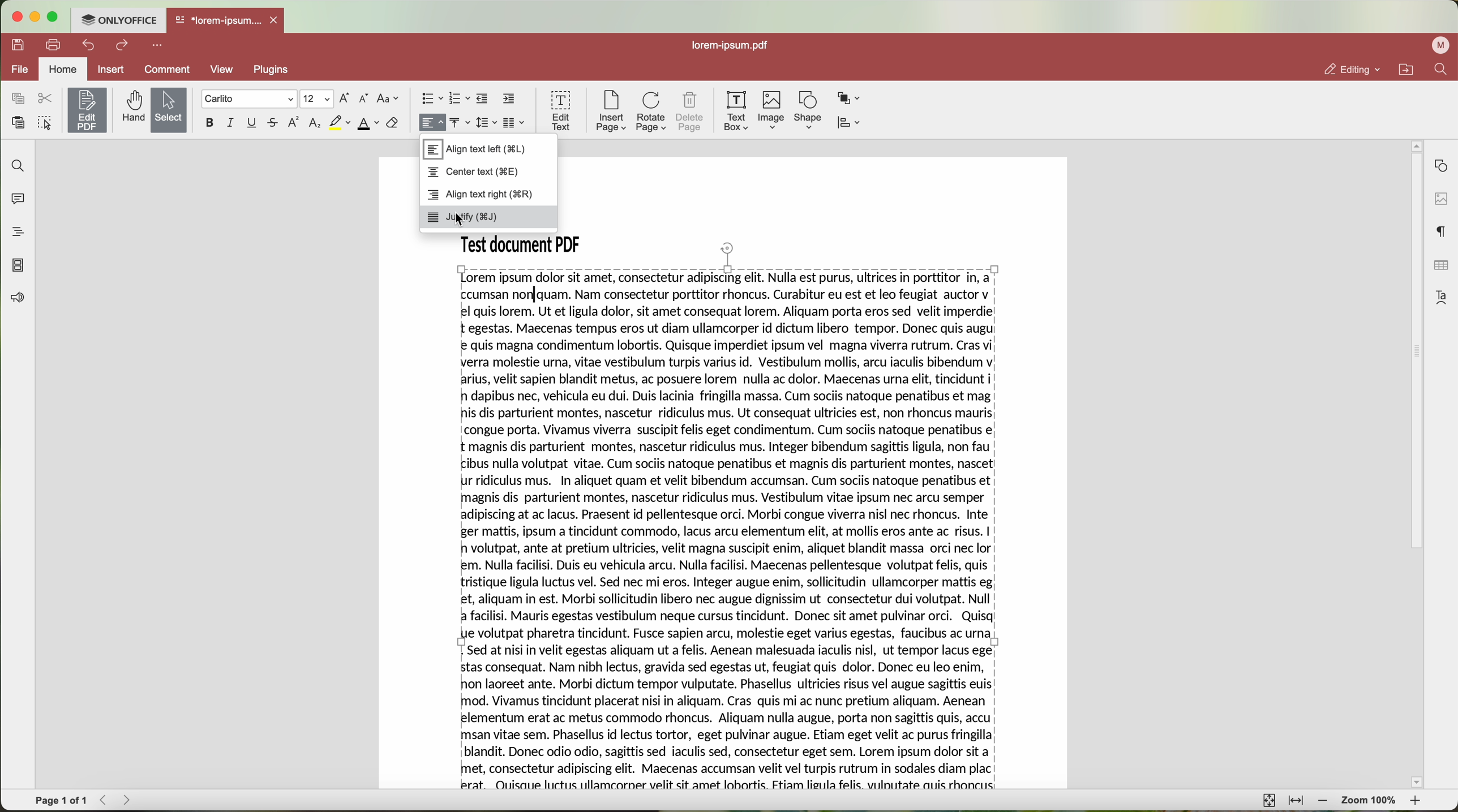  Describe the element at coordinates (18, 198) in the screenshot. I see `comments` at that location.